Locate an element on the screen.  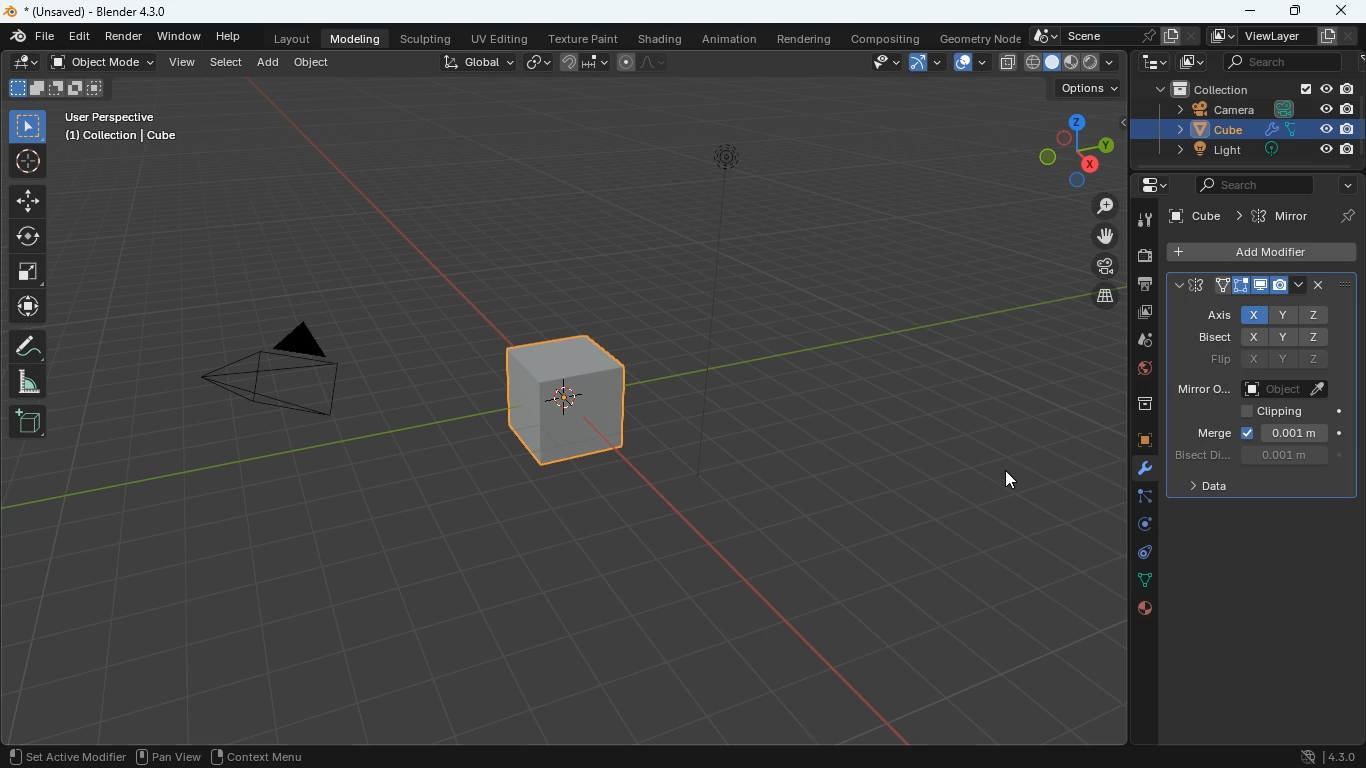
minimize is located at coordinates (1251, 12).